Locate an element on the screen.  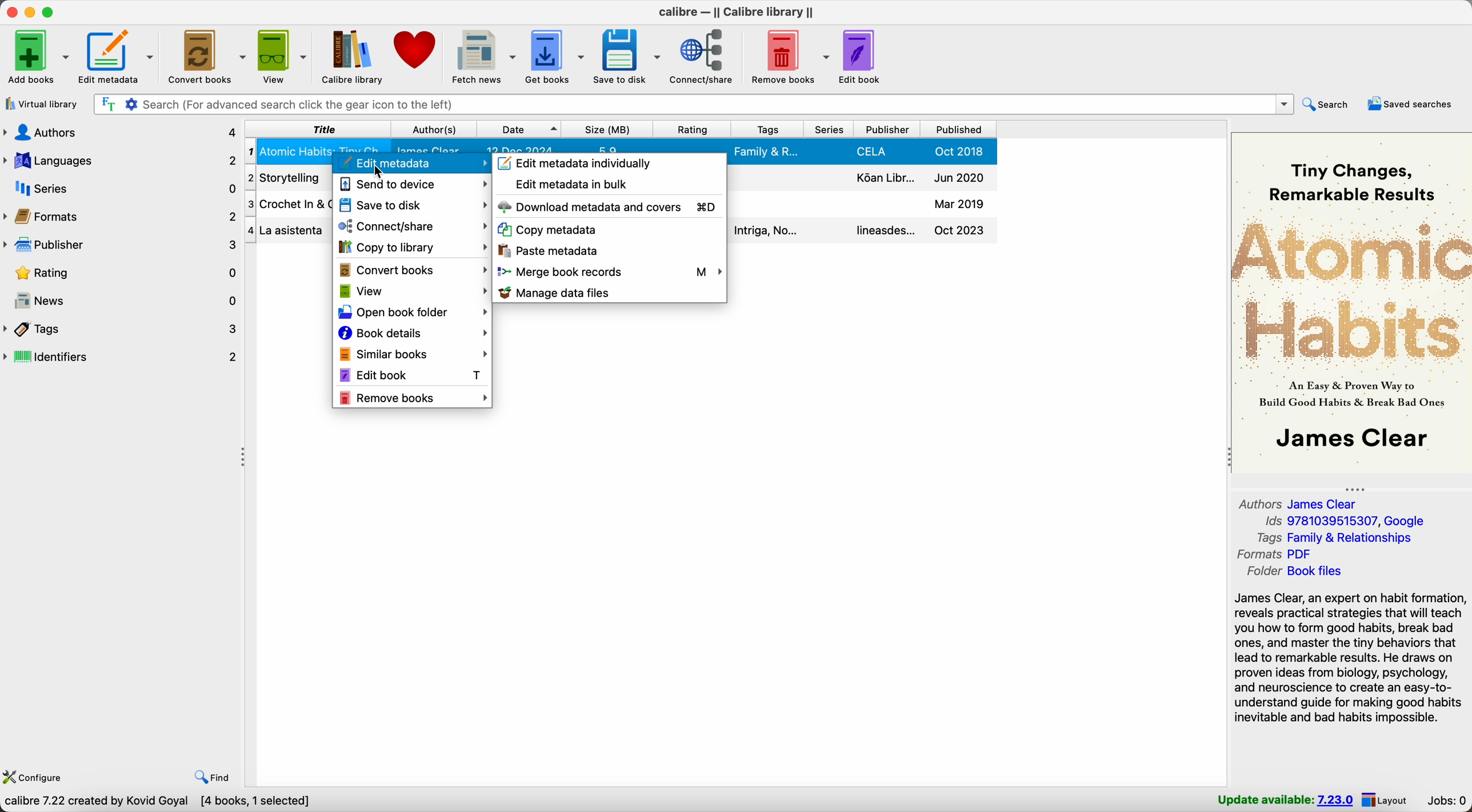
rating is located at coordinates (694, 128).